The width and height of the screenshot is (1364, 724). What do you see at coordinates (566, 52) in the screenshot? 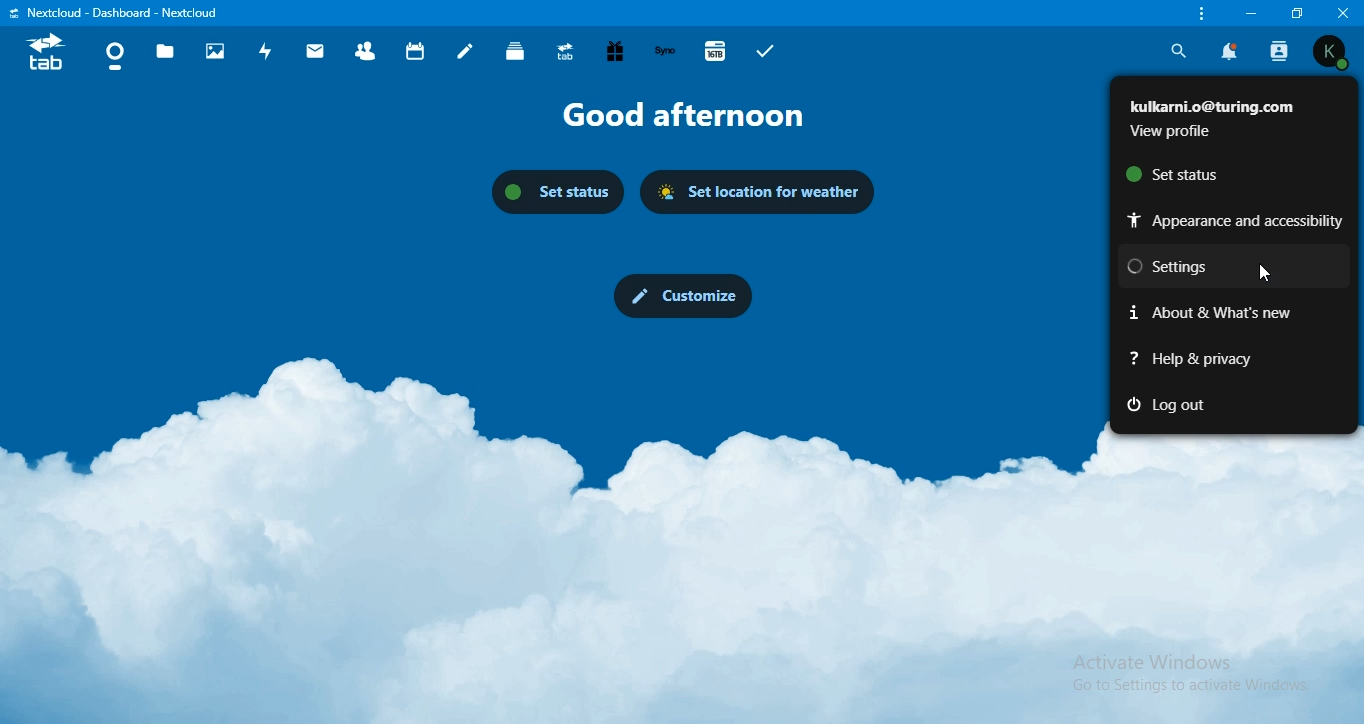
I see `upgrade` at bounding box center [566, 52].